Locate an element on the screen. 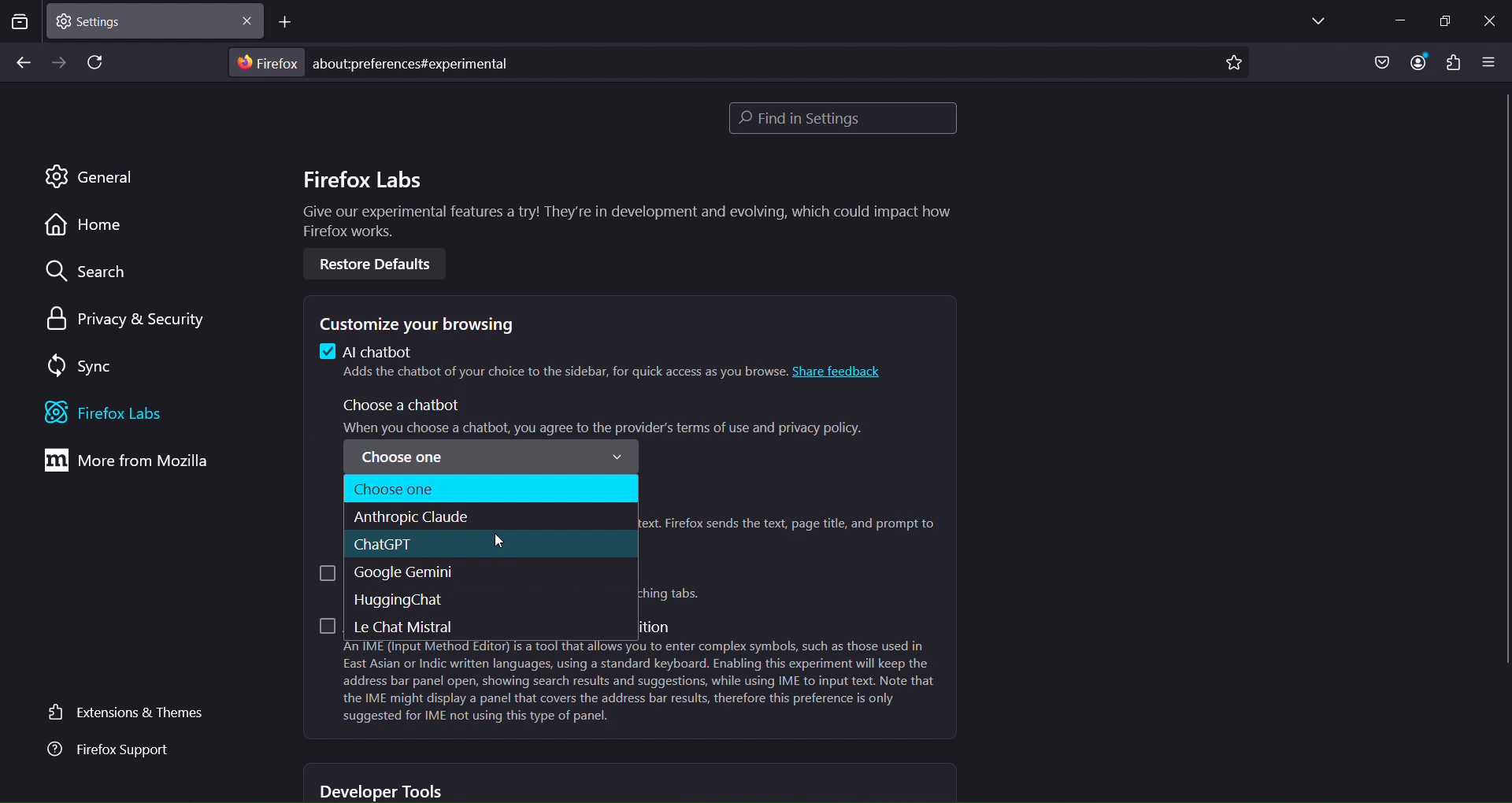 The image size is (1512, 803). find in settings is located at coordinates (839, 118).